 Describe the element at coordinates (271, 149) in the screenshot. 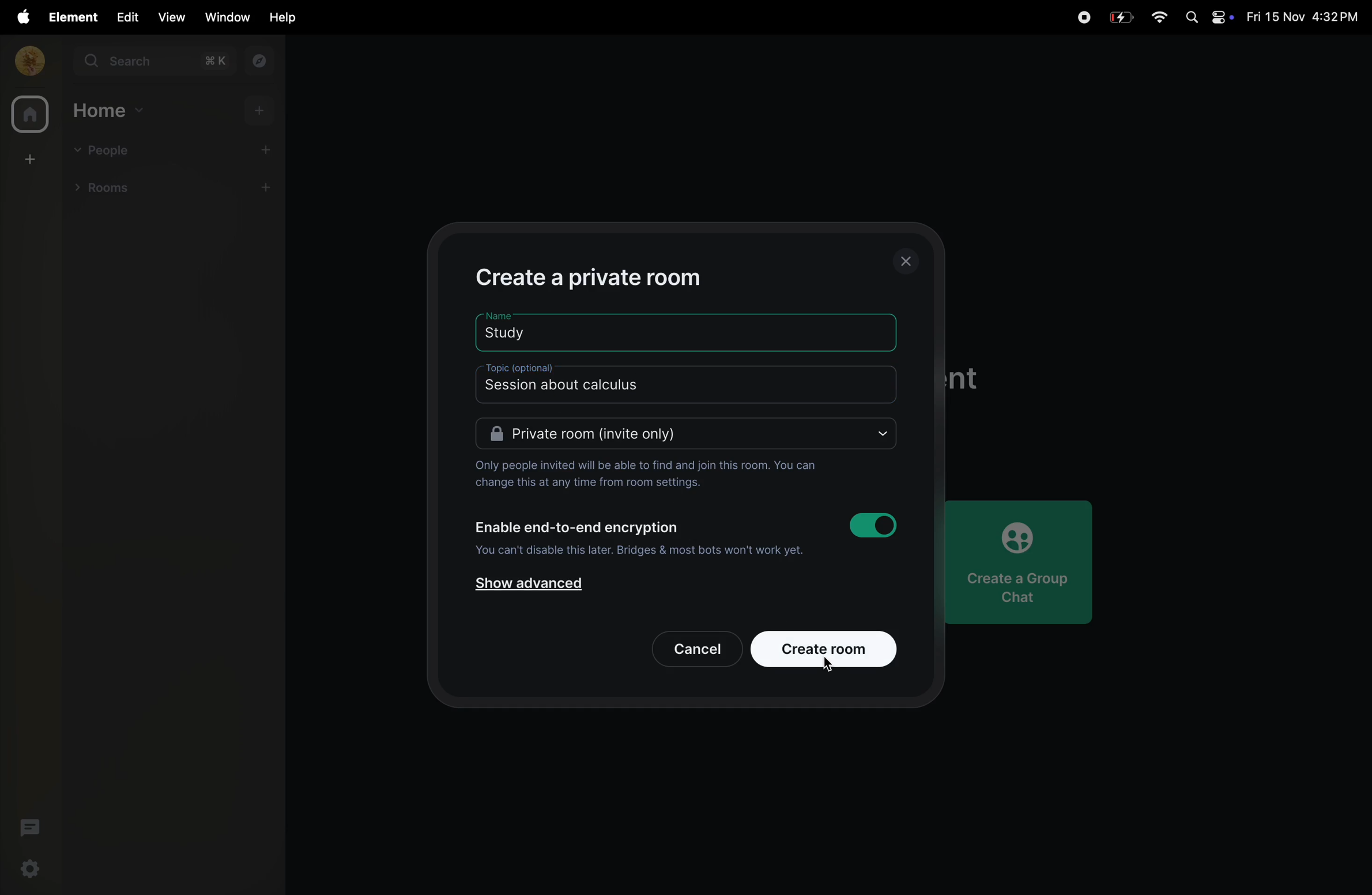

I see `add` at that location.